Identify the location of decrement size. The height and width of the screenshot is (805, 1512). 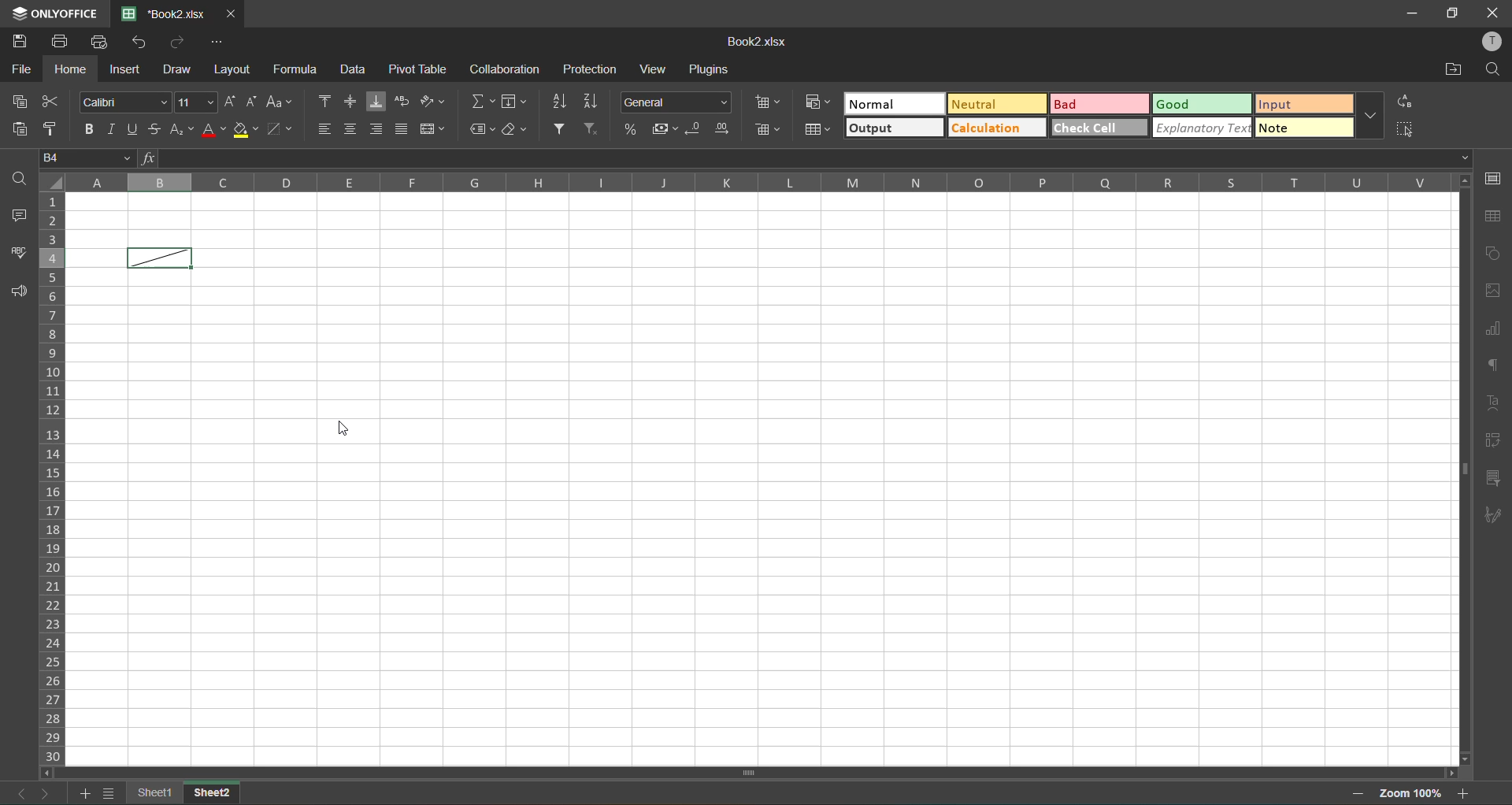
(254, 102).